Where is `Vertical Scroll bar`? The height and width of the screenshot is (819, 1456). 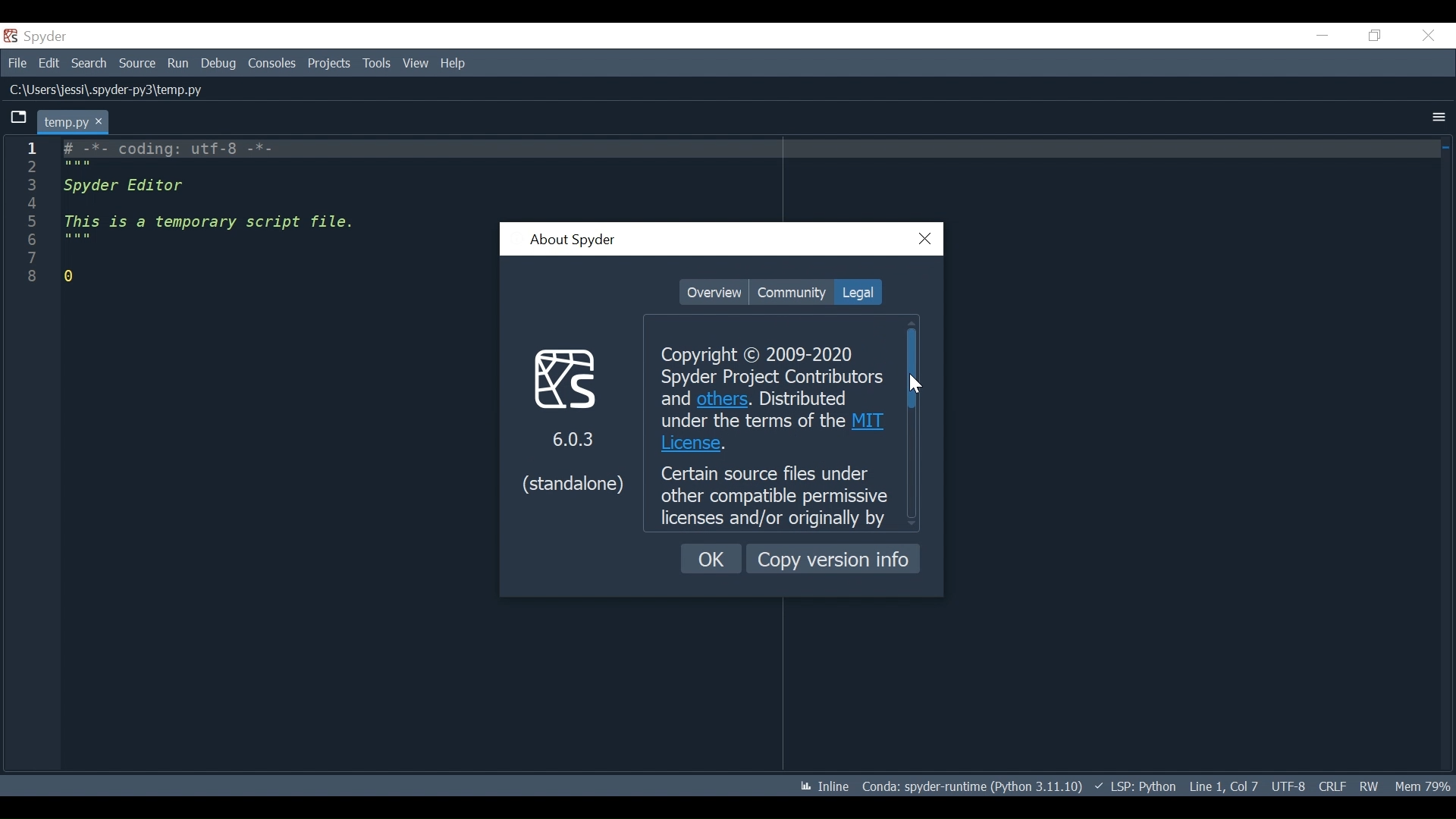 Vertical Scroll bar is located at coordinates (912, 368).